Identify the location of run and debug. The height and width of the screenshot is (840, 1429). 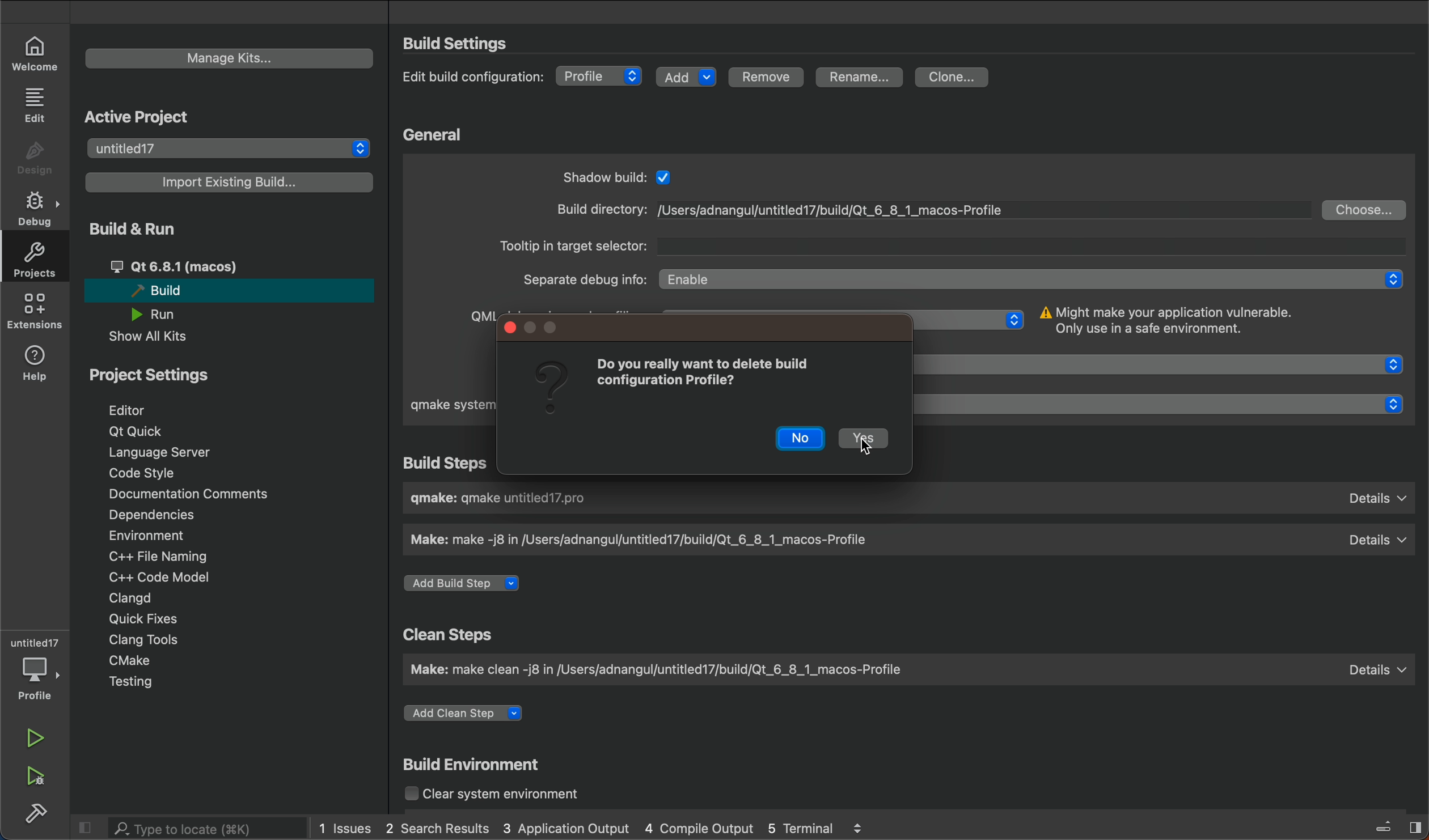
(36, 775).